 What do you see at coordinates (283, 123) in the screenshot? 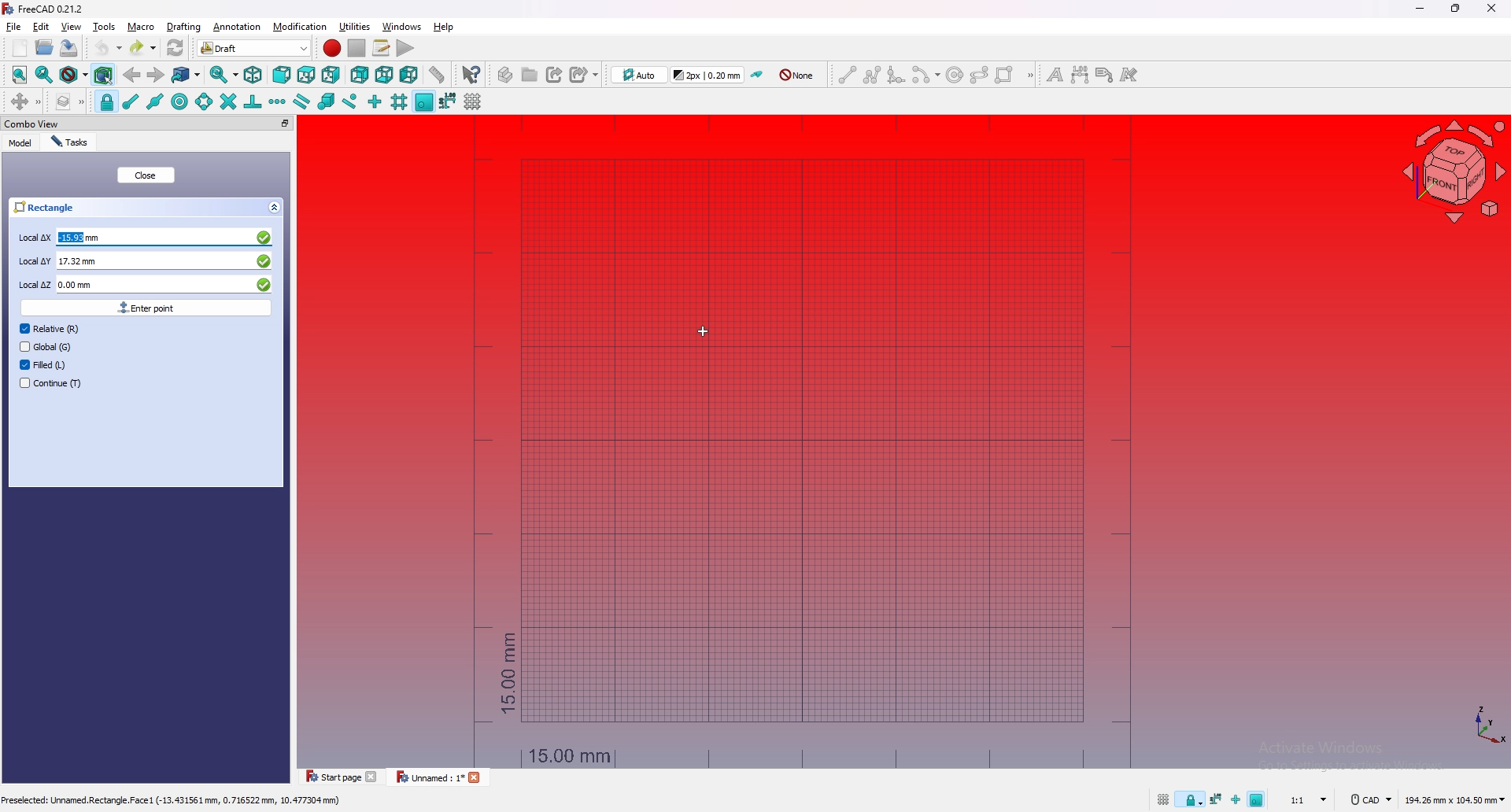
I see `pop out` at bounding box center [283, 123].